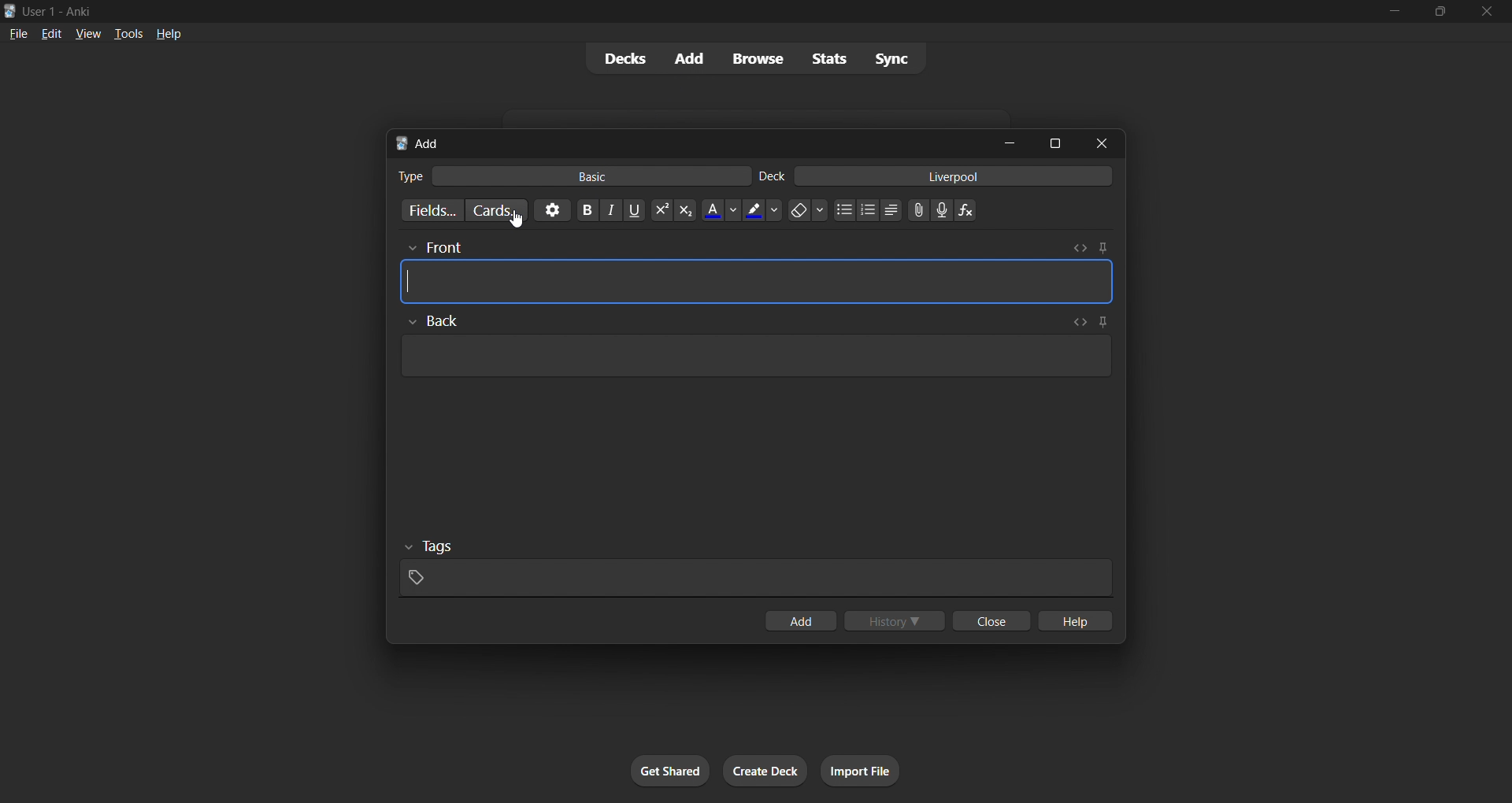 The image size is (1512, 803). Describe the element at coordinates (799, 622) in the screenshot. I see `add` at that location.